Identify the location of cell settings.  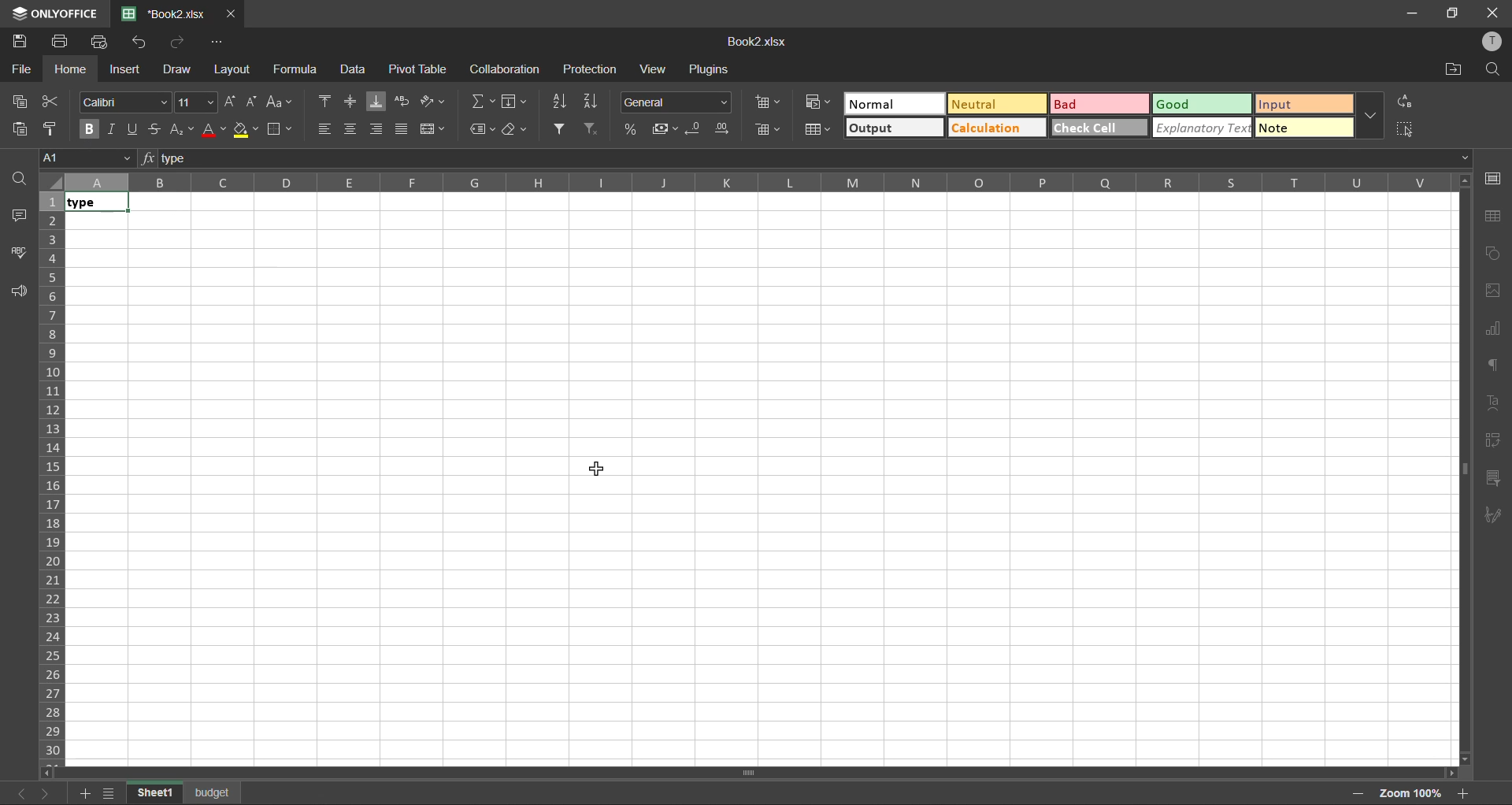
(1495, 176).